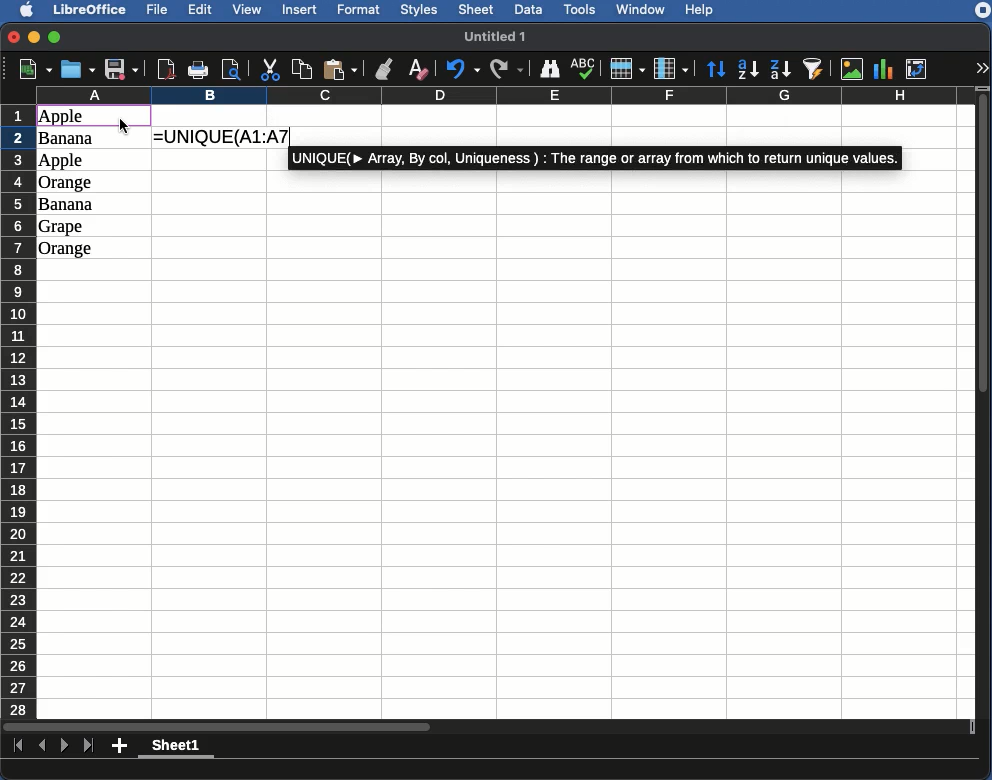 This screenshot has width=992, height=780. Describe the element at coordinates (43, 747) in the screenshot. I see `Previous sheet` at that location.